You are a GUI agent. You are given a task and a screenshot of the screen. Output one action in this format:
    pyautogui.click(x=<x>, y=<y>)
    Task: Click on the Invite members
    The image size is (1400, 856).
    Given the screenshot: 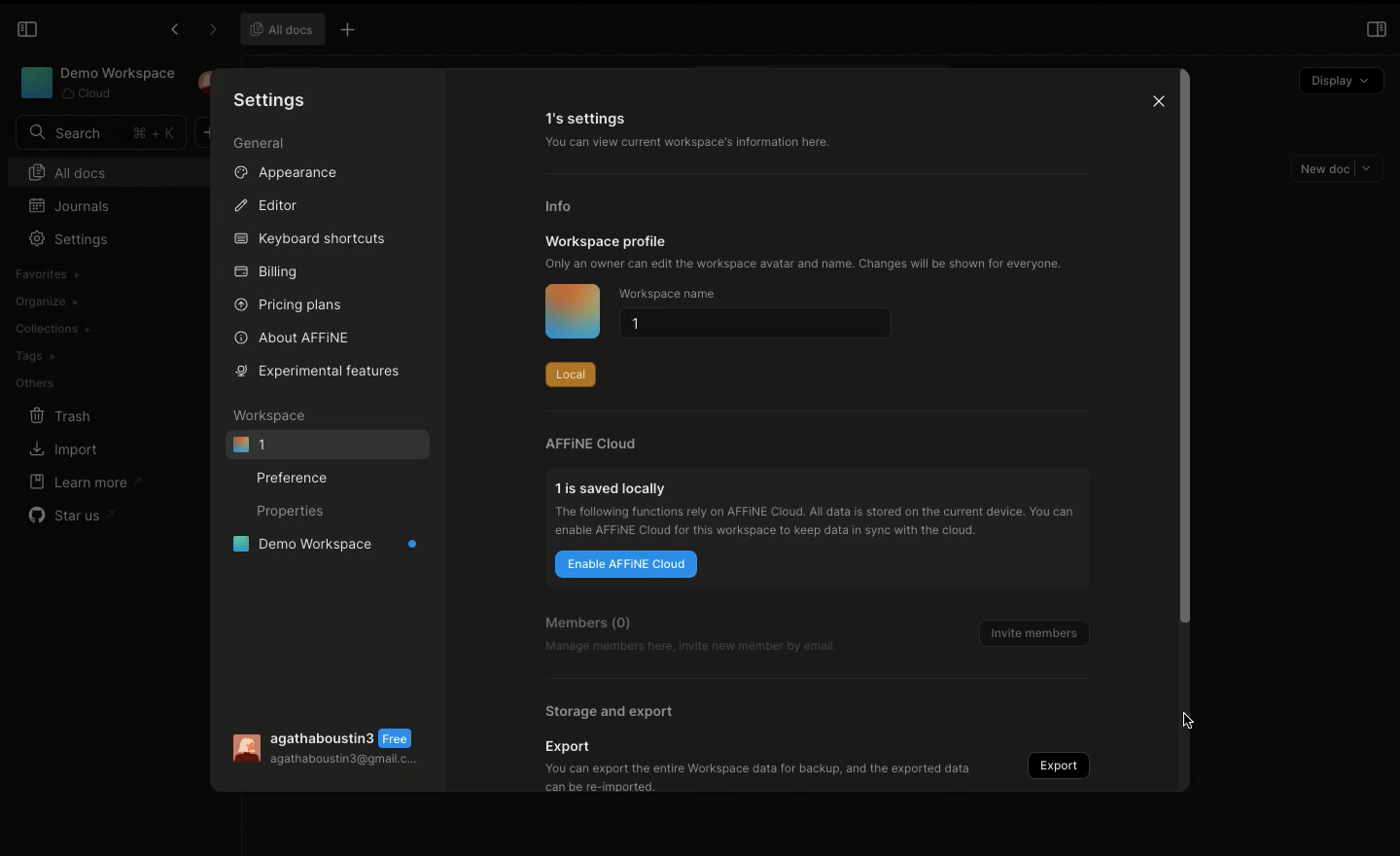 What is the action you would take?
    pyautogui.click(x=1033, y=631)
    